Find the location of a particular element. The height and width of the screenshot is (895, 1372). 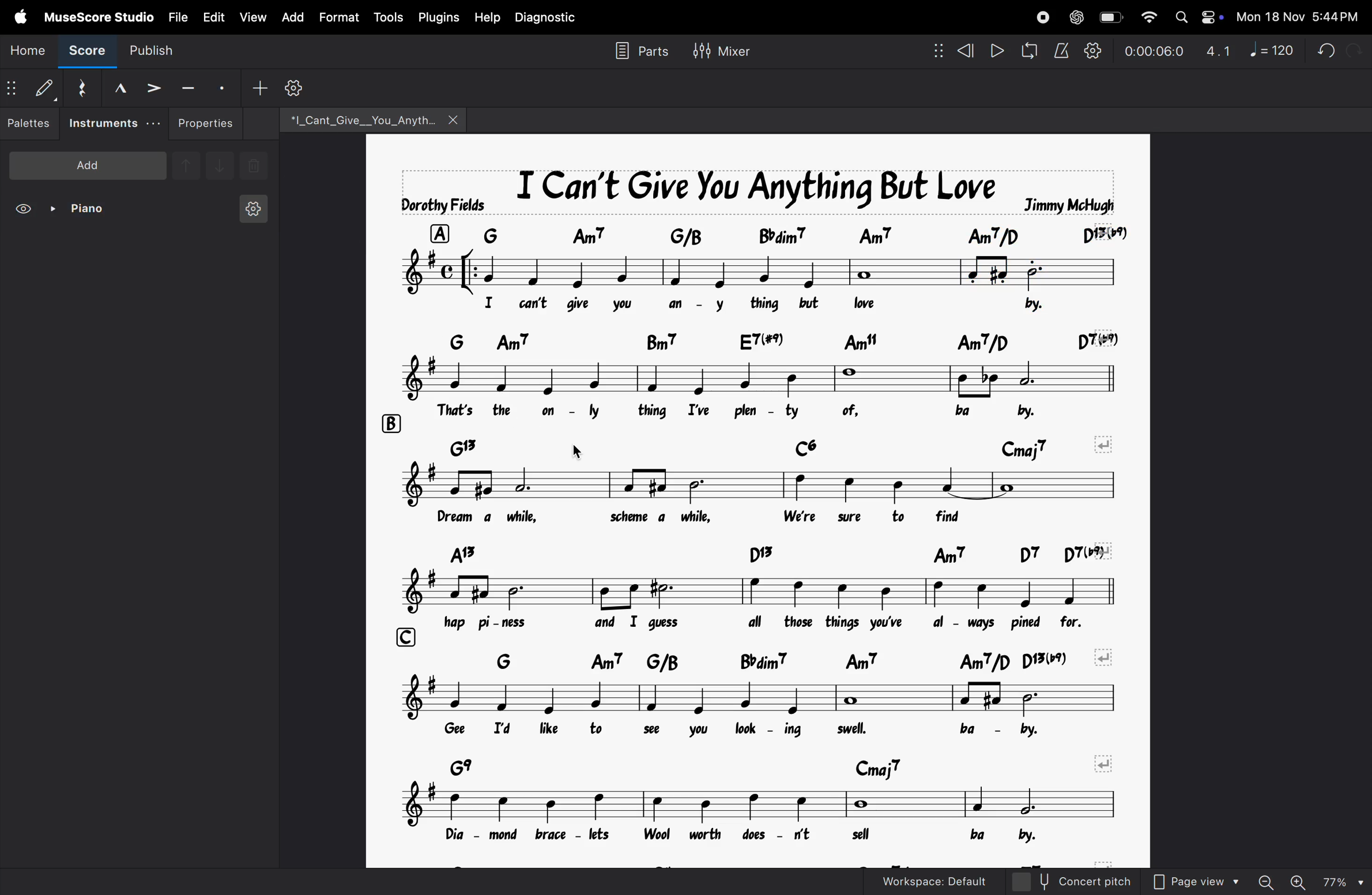

reset is located at coordinates (85, 88).